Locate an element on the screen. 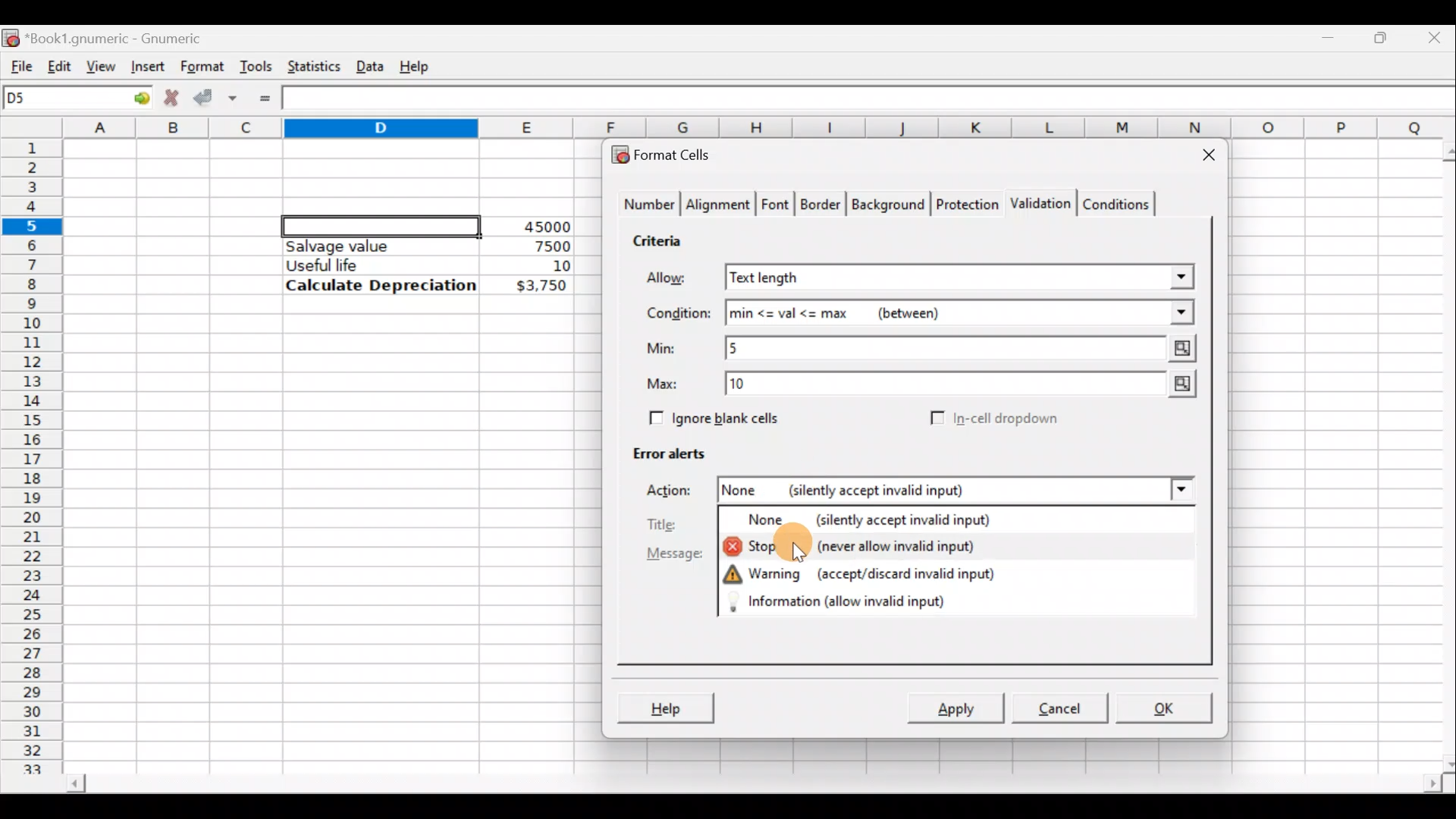 The image size is (1456, 819). Accept change is located at coordinates (215, 96).